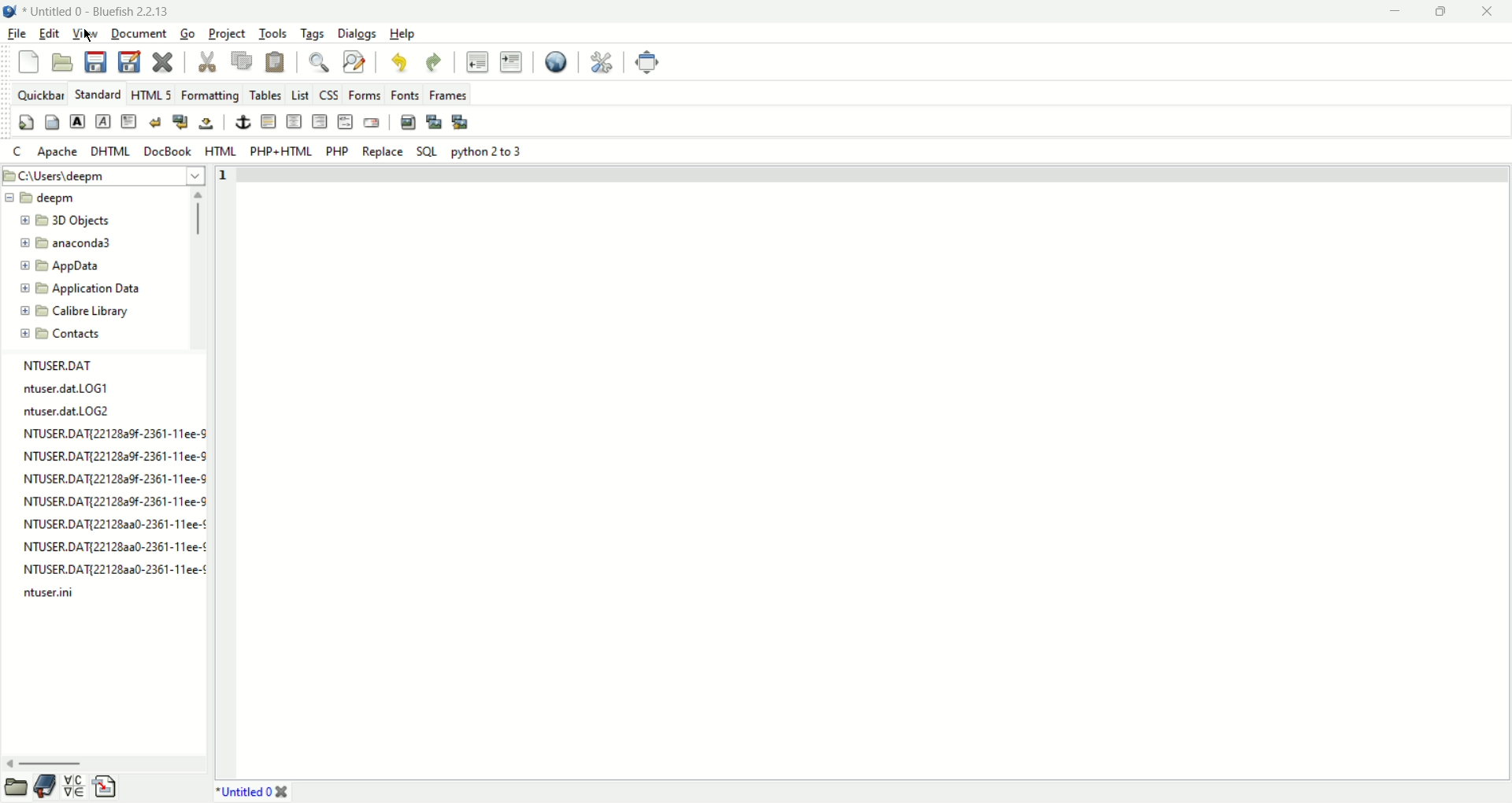 The image size is (1512, 803). Describe the element at coordinates (18, 151) in the screenshot. I see `c` at that location.